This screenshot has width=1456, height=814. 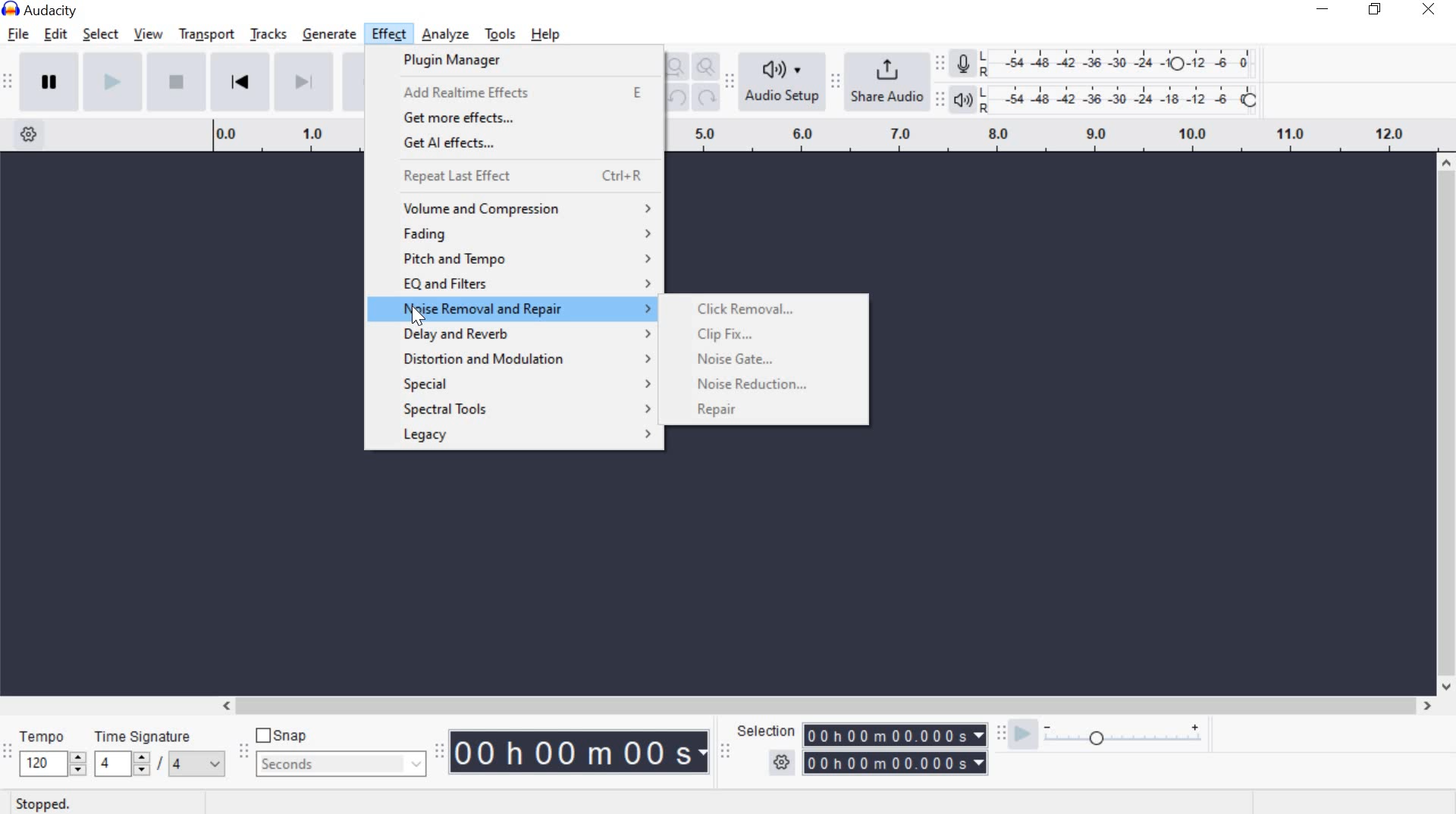 I want to click on Timeline Options, so click(x=26, y=133).